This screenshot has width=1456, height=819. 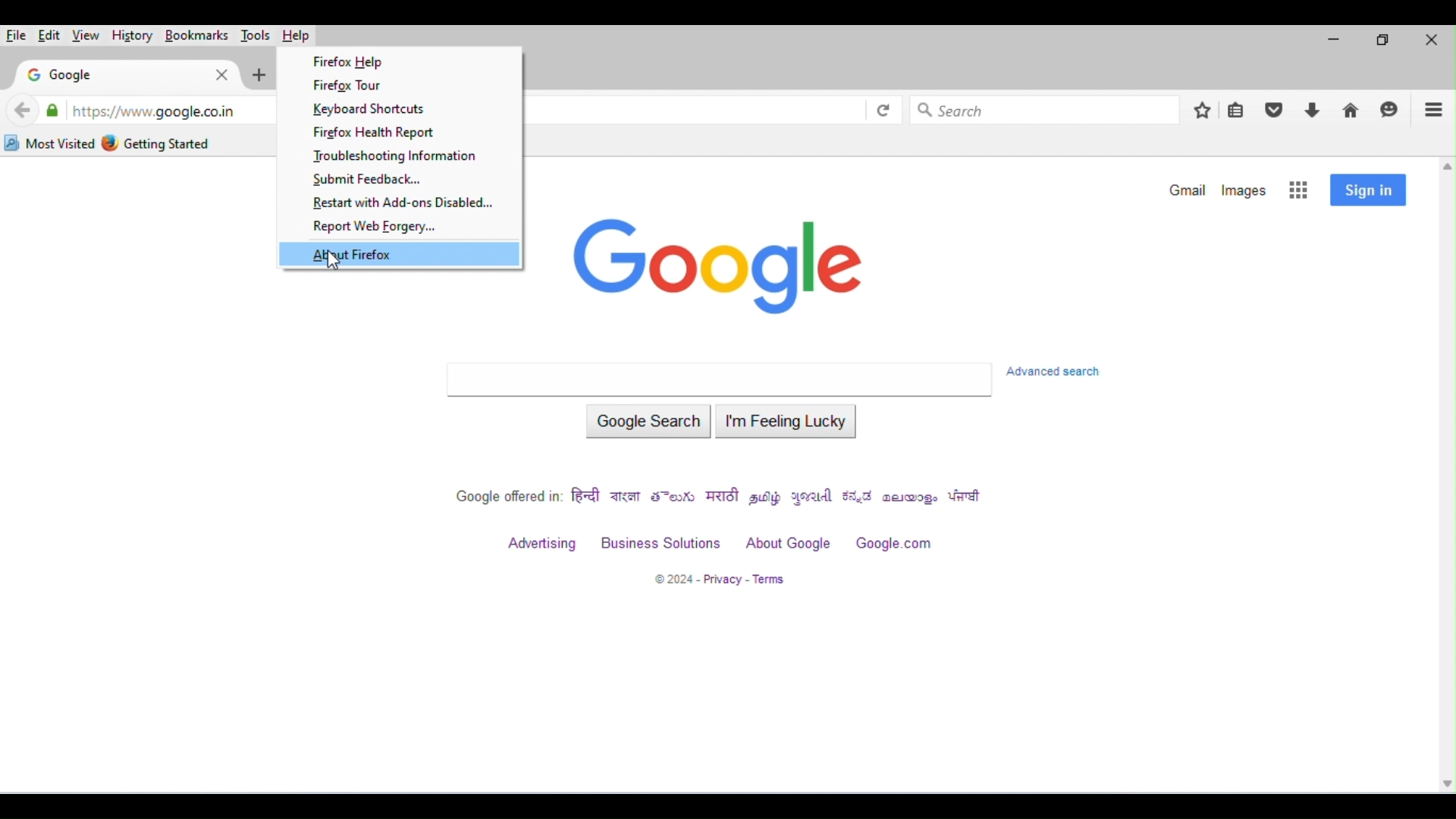 I want to click on i am feeling lucky, so click(x=789, y=425).